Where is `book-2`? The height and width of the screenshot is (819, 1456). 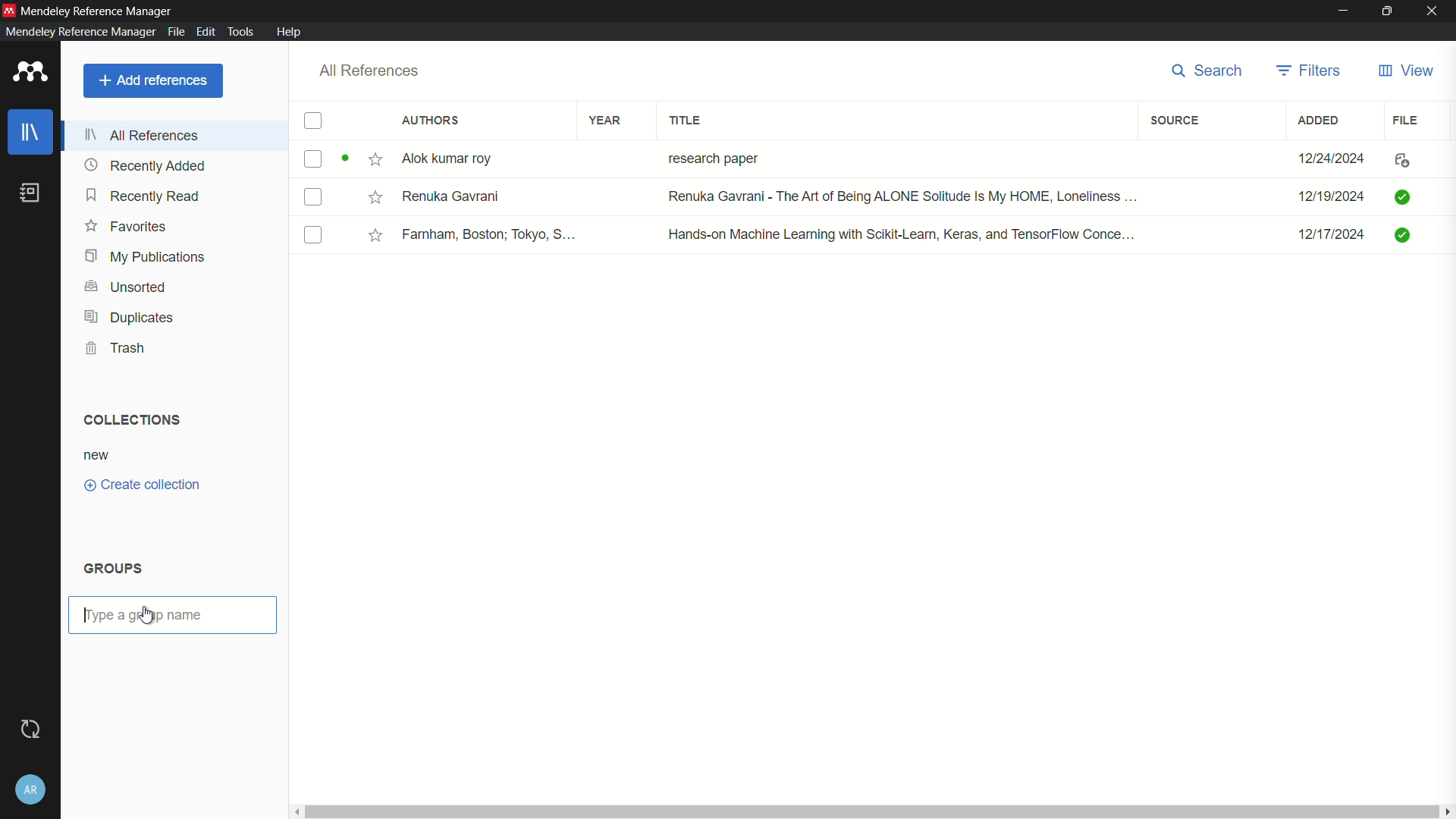
book-2 is located at coordinates (315, 199).